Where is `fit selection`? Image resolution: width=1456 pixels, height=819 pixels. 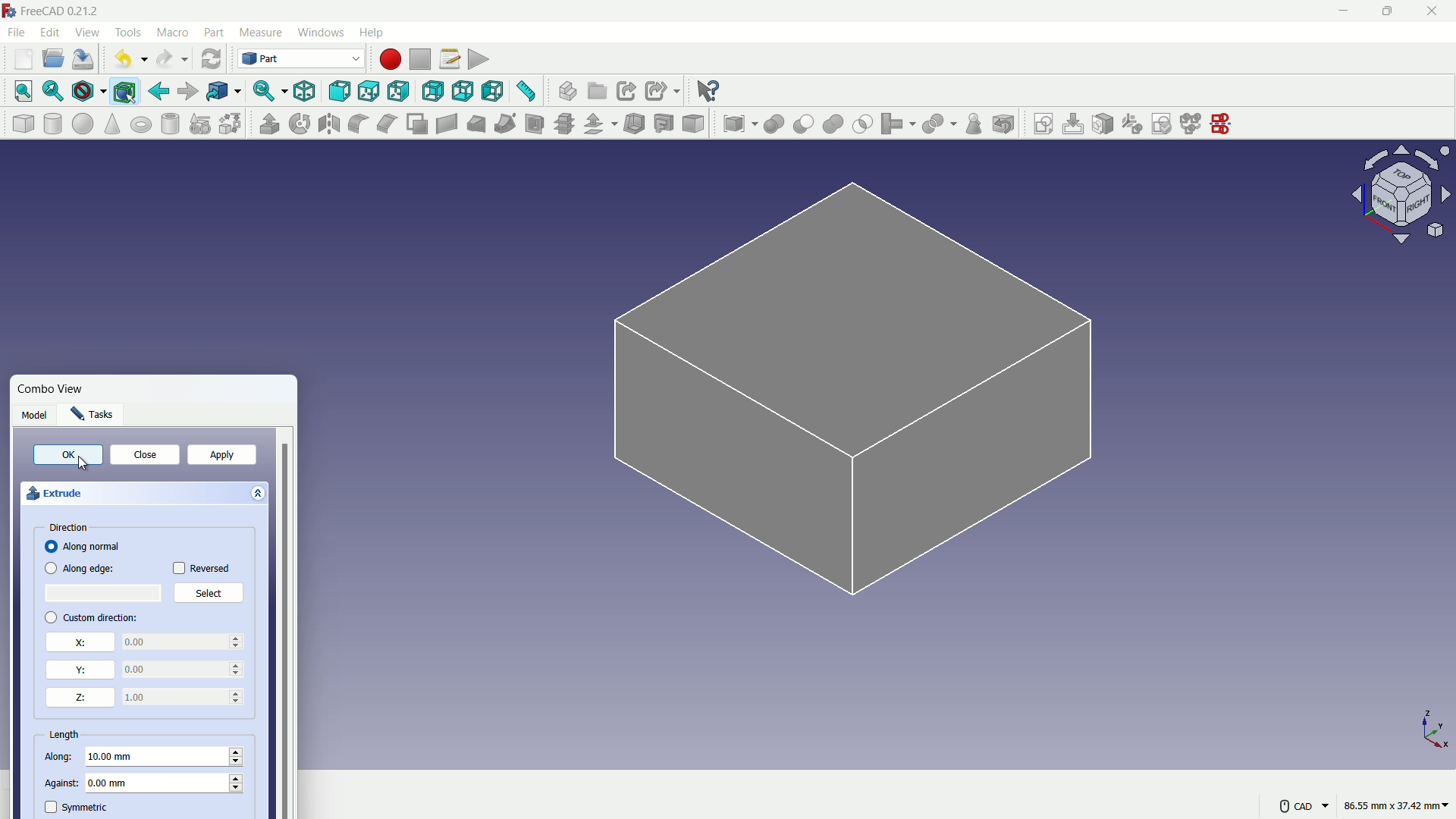 fit selection is located at coordinates (55, 90).